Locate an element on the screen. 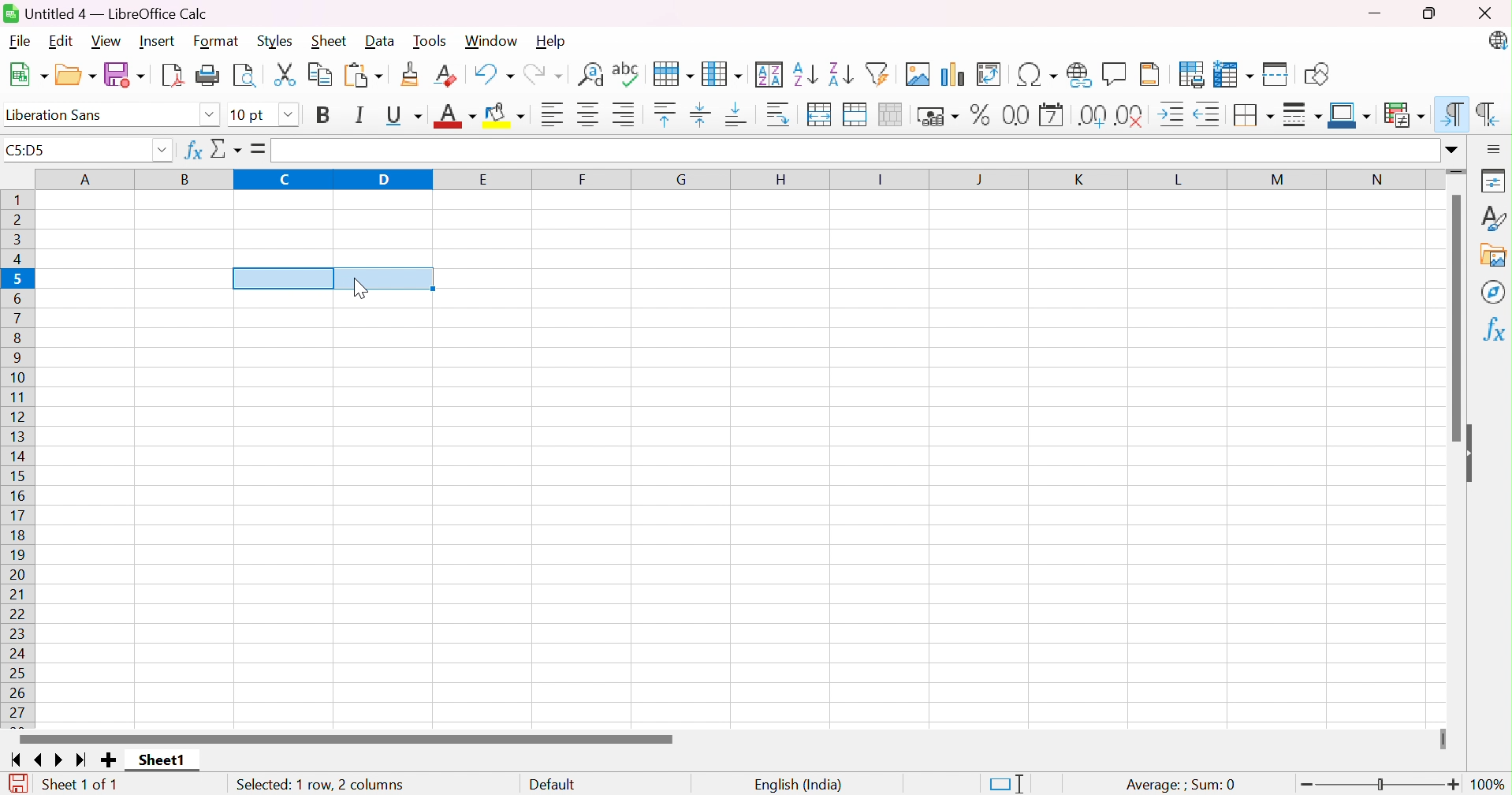 Image resolution: width=1512 pixels, height=795 pixels. Center Vertically is located at coordinates (702, 114).